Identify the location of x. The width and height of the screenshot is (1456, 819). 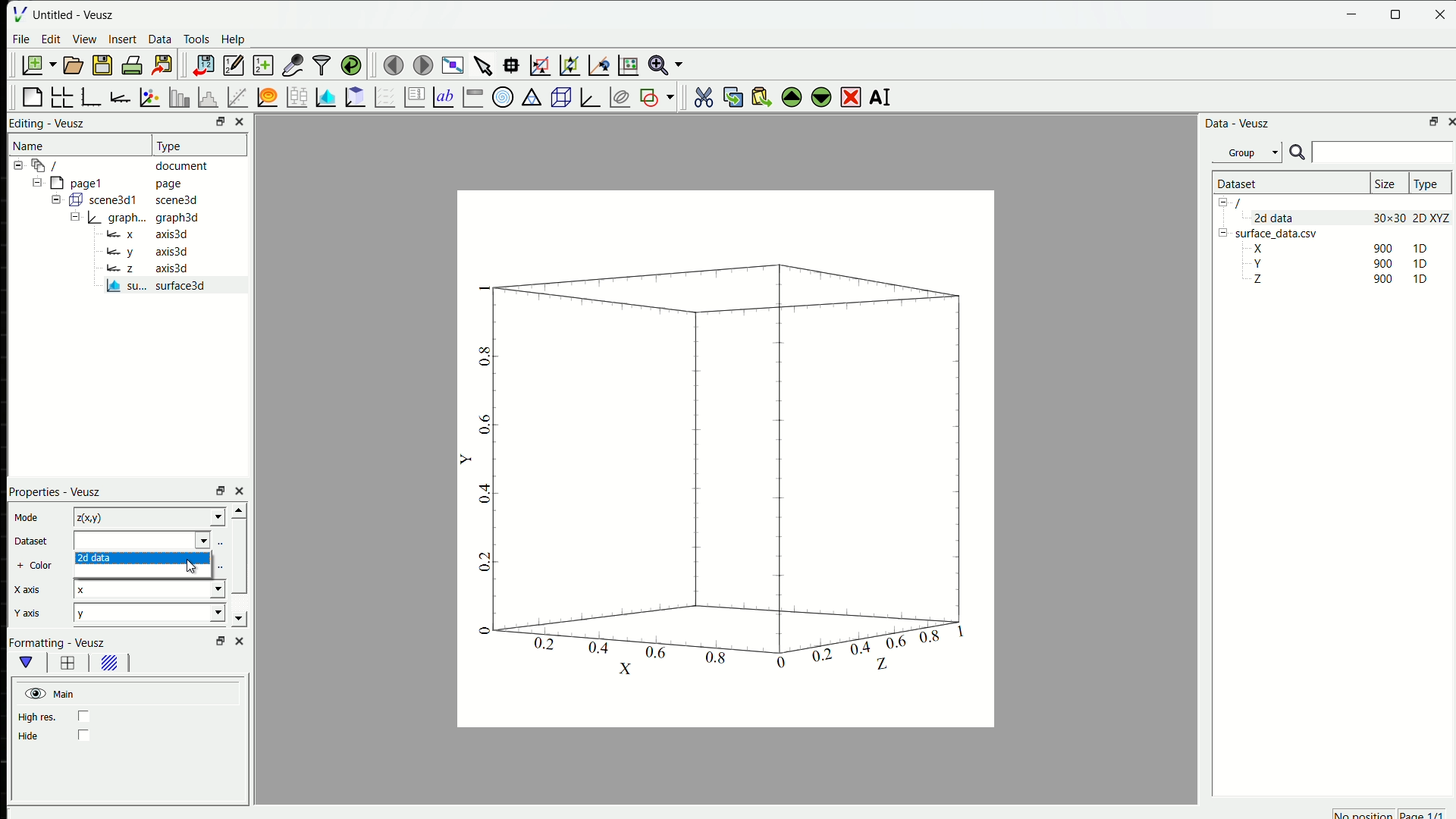
(140, 588).